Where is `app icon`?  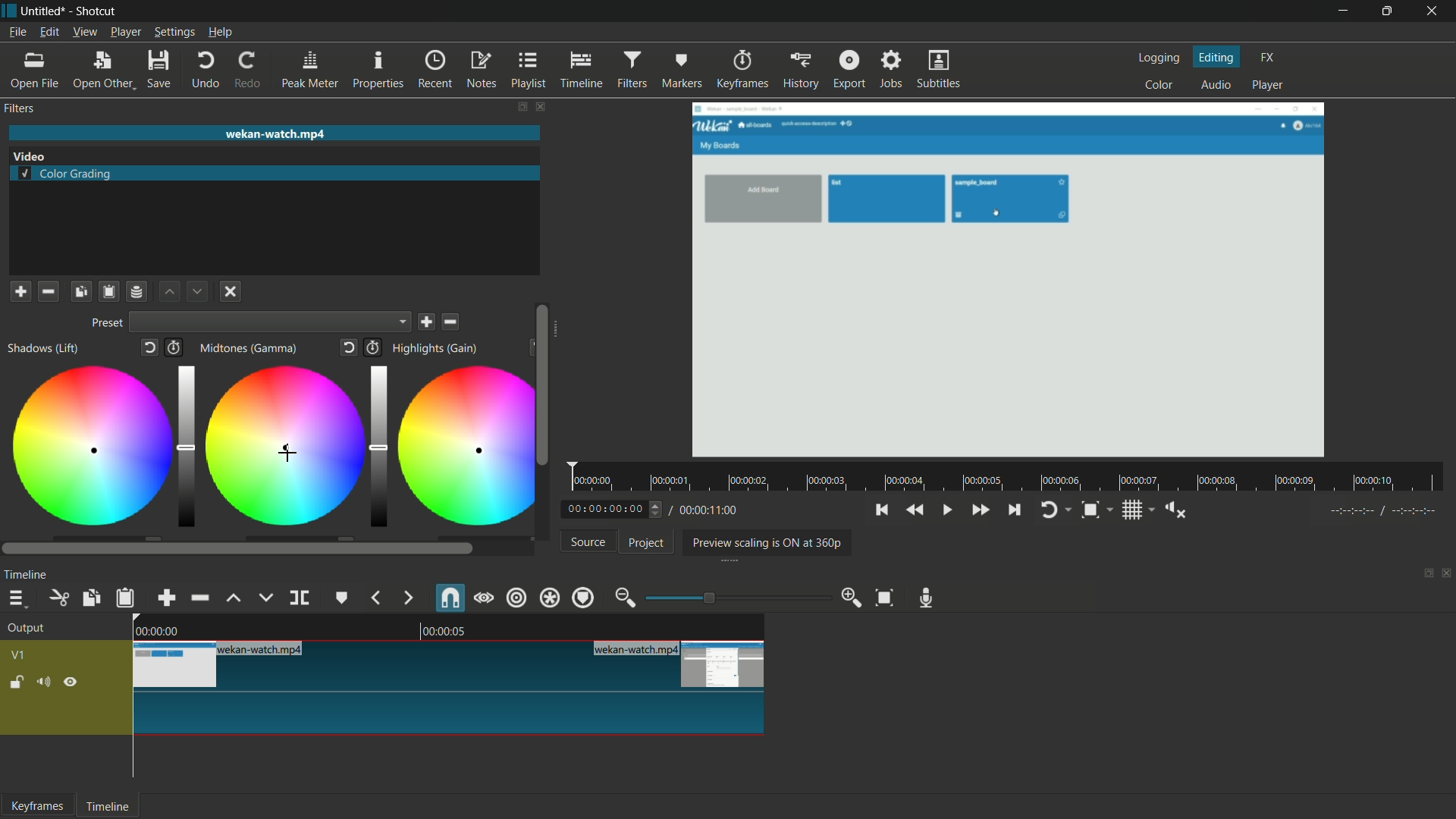
app icon is located at coordinates (9, 11).